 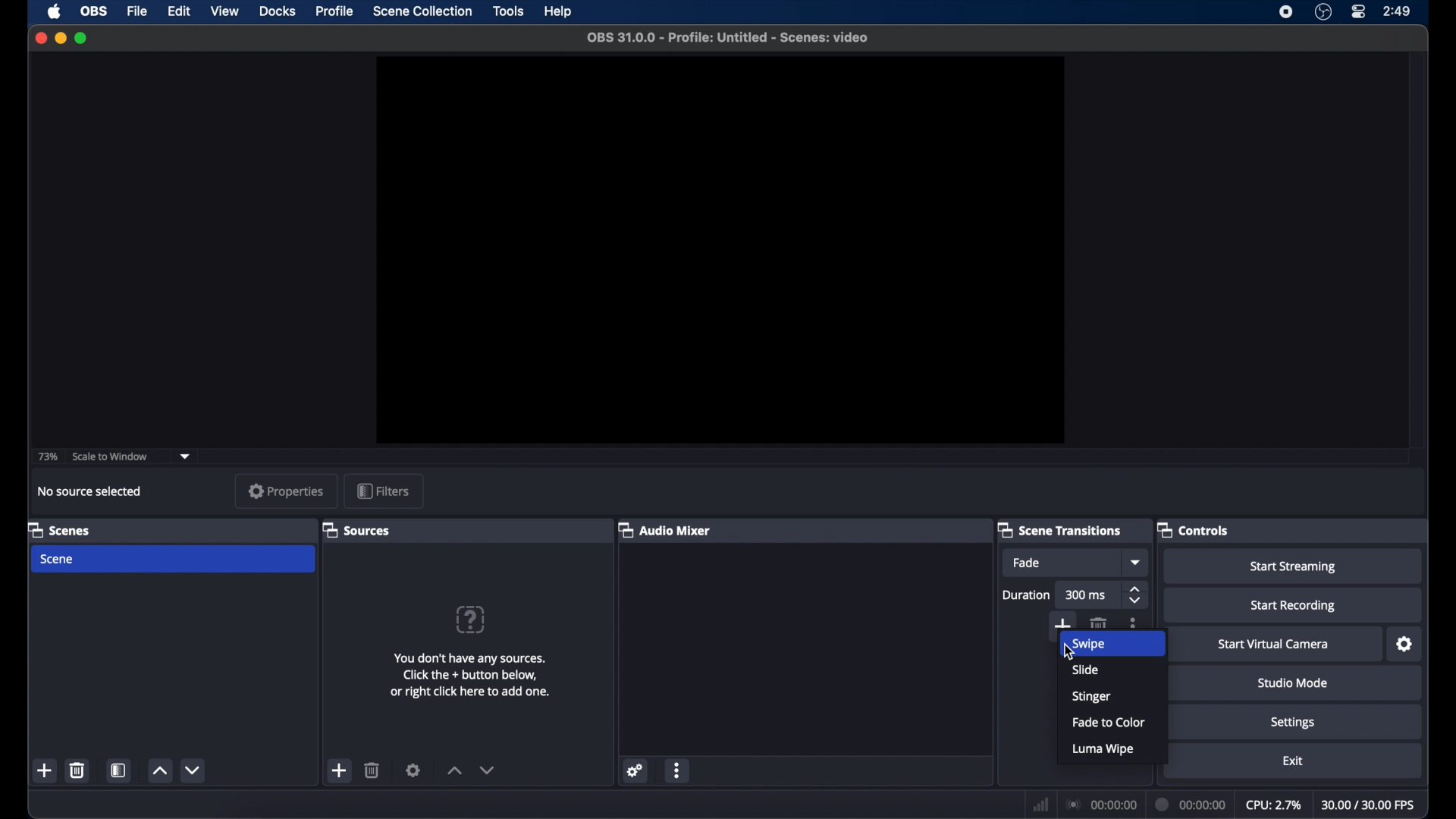 I want to click on add, so click(x=45, y=772).